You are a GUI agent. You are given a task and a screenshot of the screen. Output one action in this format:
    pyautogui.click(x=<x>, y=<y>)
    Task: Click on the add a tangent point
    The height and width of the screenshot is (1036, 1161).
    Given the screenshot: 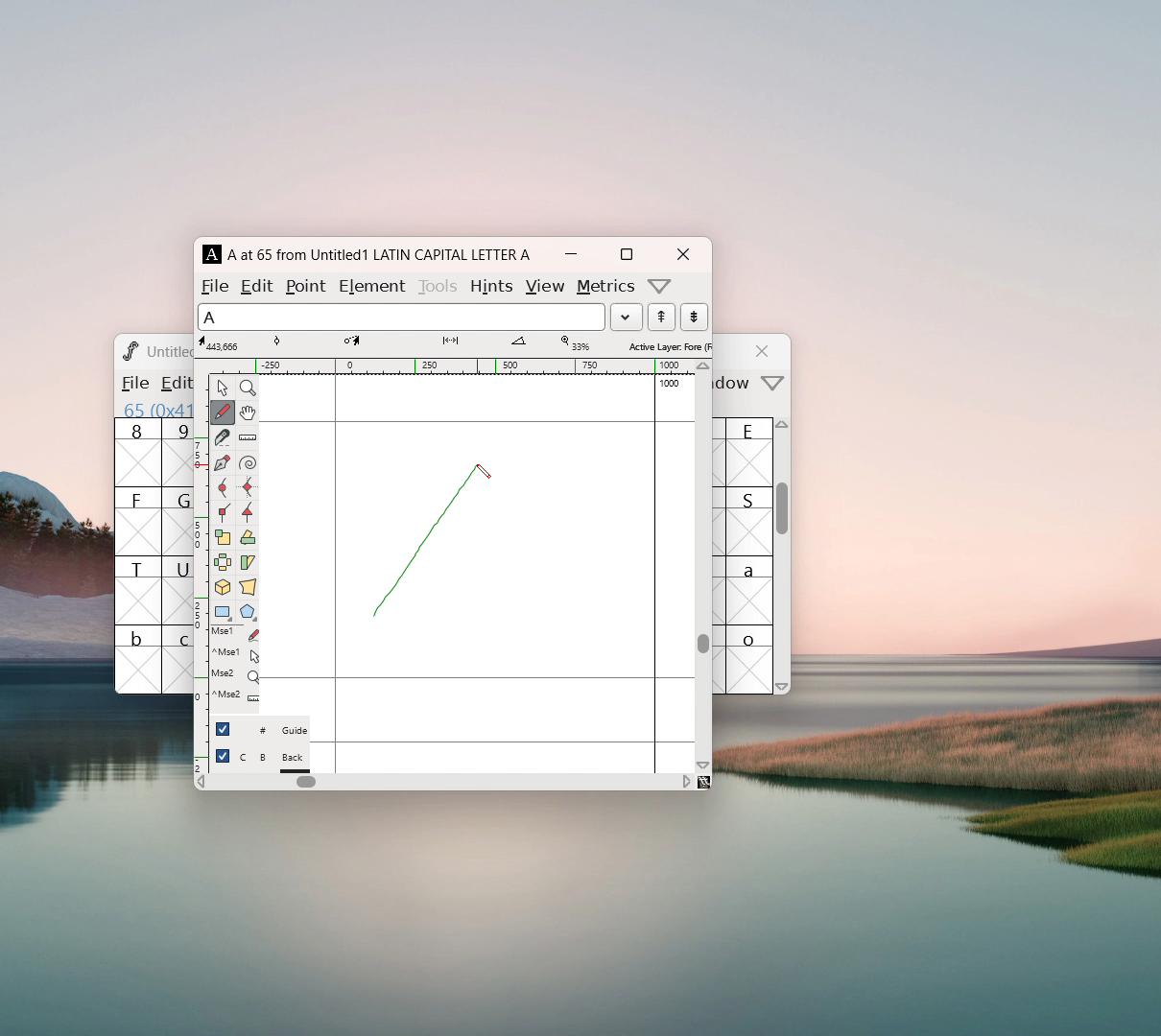 What is the action you would take?
    pyautogui.click(x=247, y=512)
    